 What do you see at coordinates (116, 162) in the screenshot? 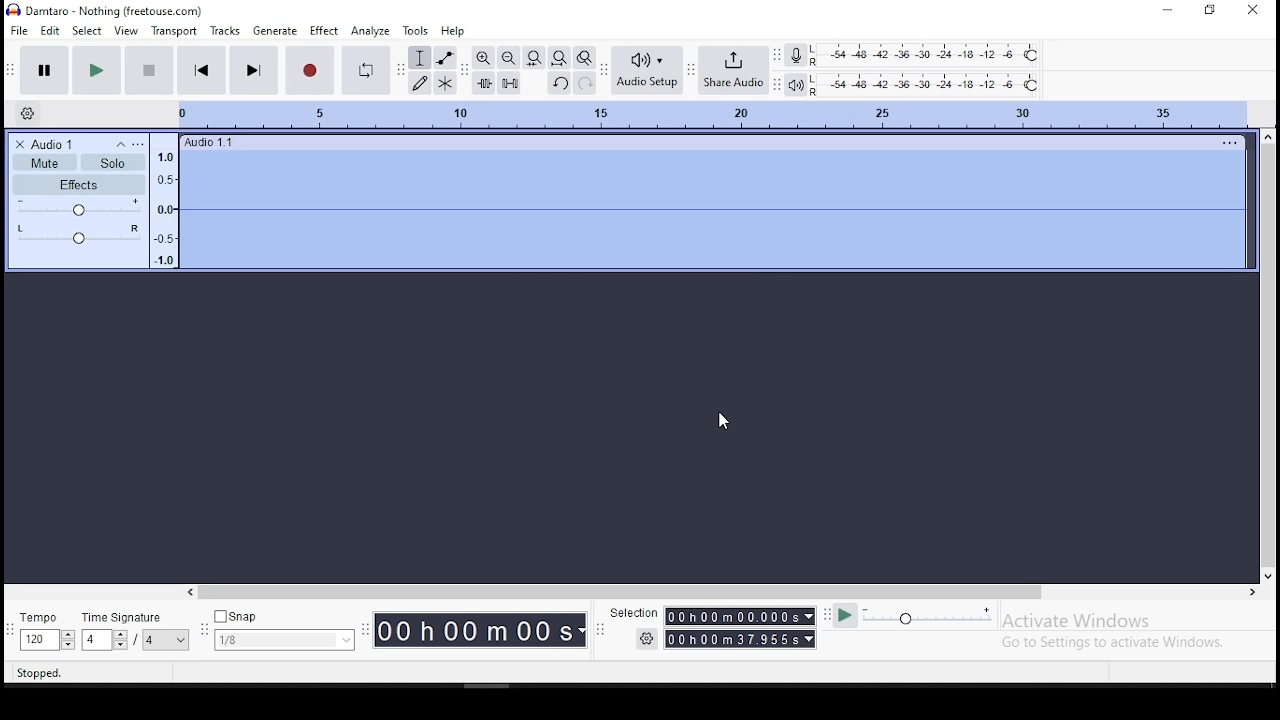
I see `Solo` at bounding box center [116, 162].